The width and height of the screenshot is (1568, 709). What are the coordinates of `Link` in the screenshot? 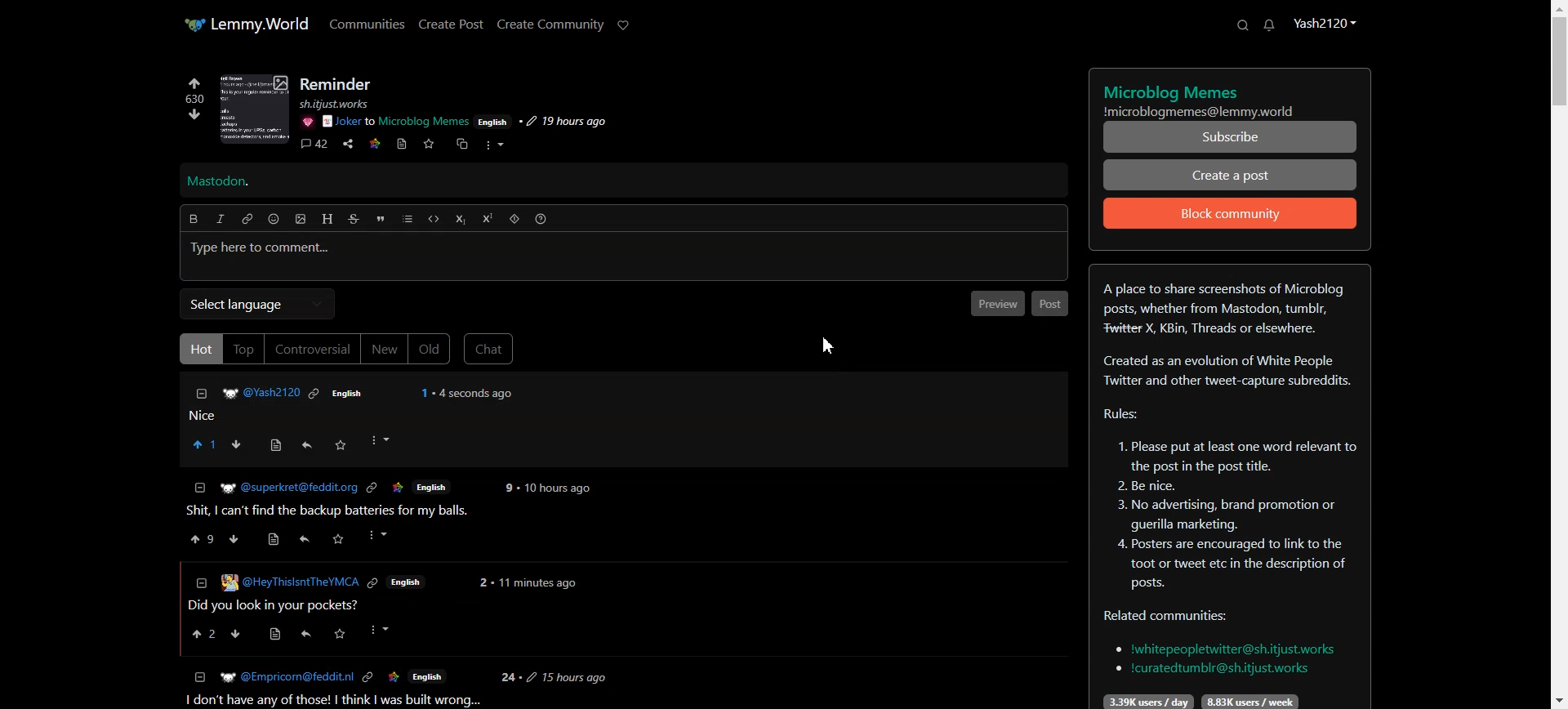 It's located at (375, 142).